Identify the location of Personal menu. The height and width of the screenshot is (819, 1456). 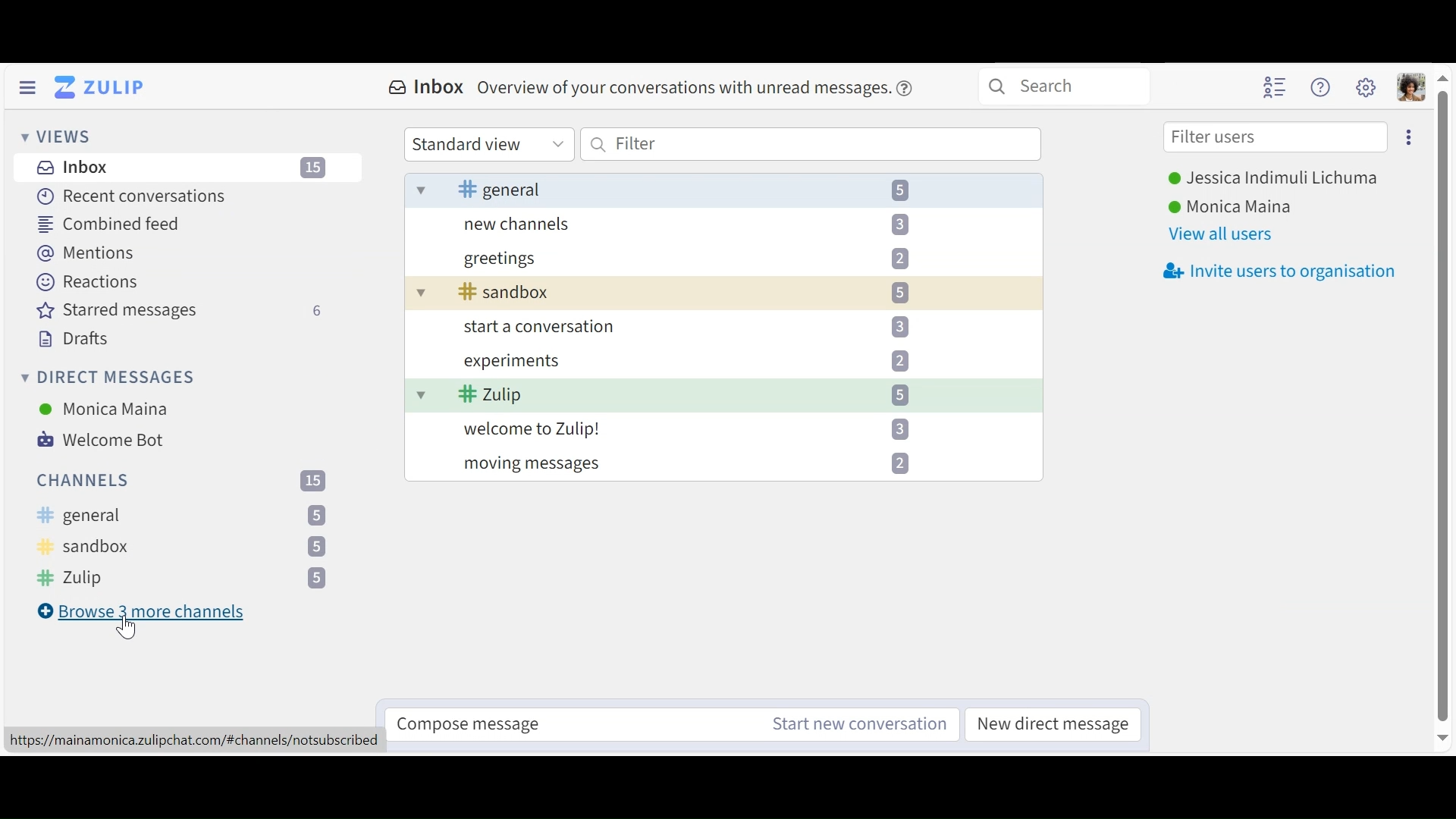
(1412, 86).